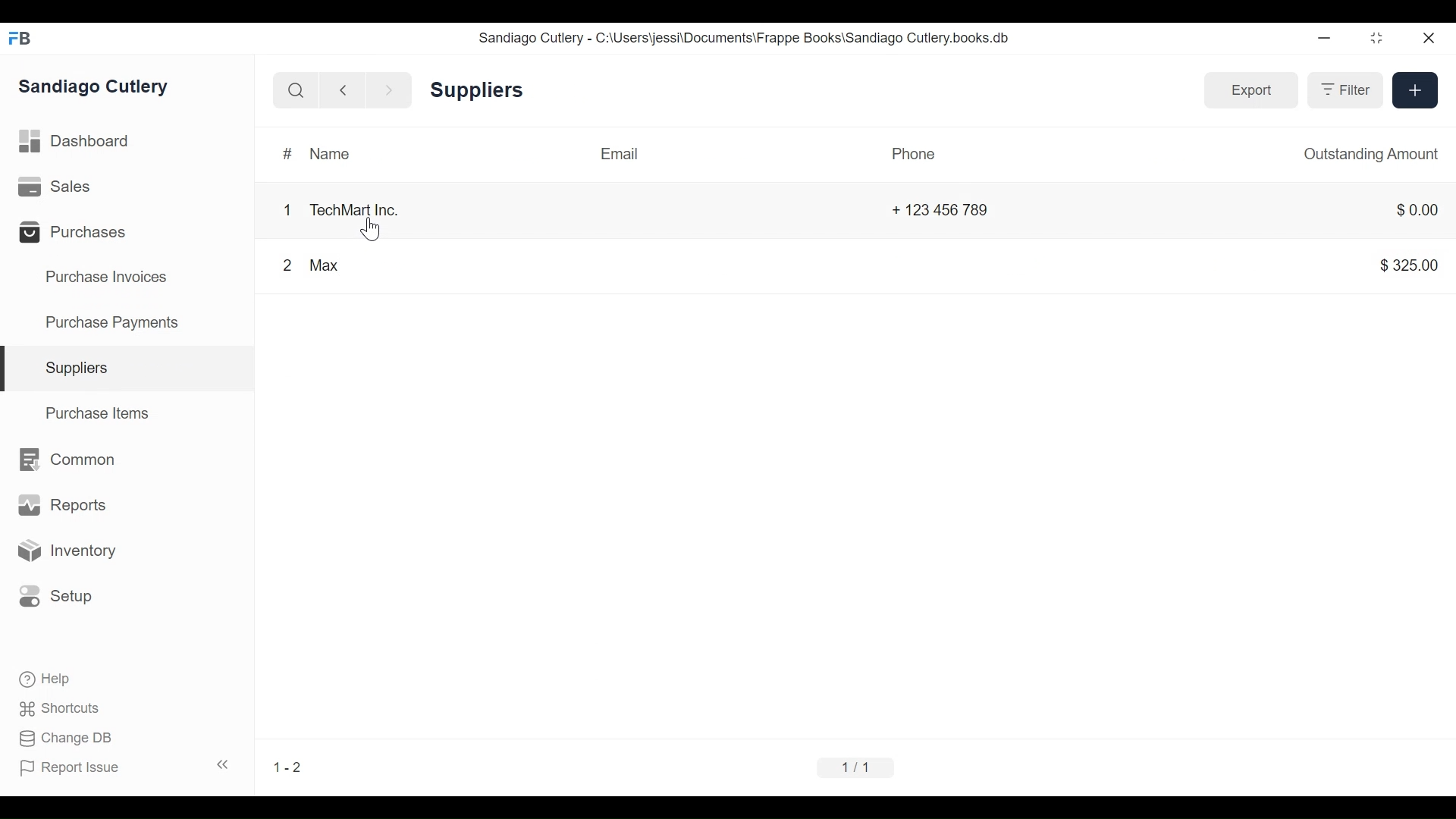  What do you see at coordinates (283, 265) in the screenshot?
I see `2` at bounding box center [283, 265].